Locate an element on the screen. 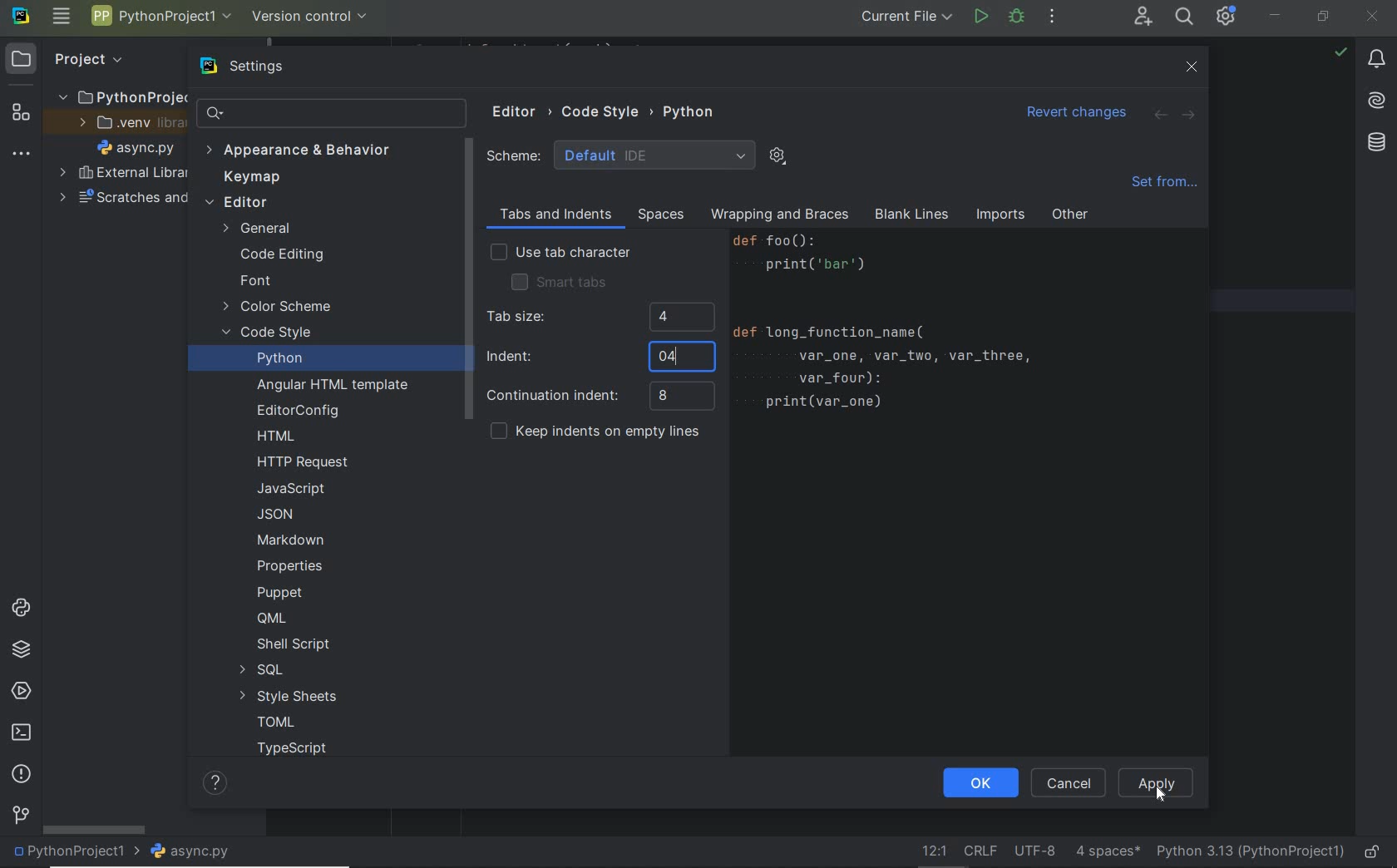  external libraries is located at coordinates (123, 173).